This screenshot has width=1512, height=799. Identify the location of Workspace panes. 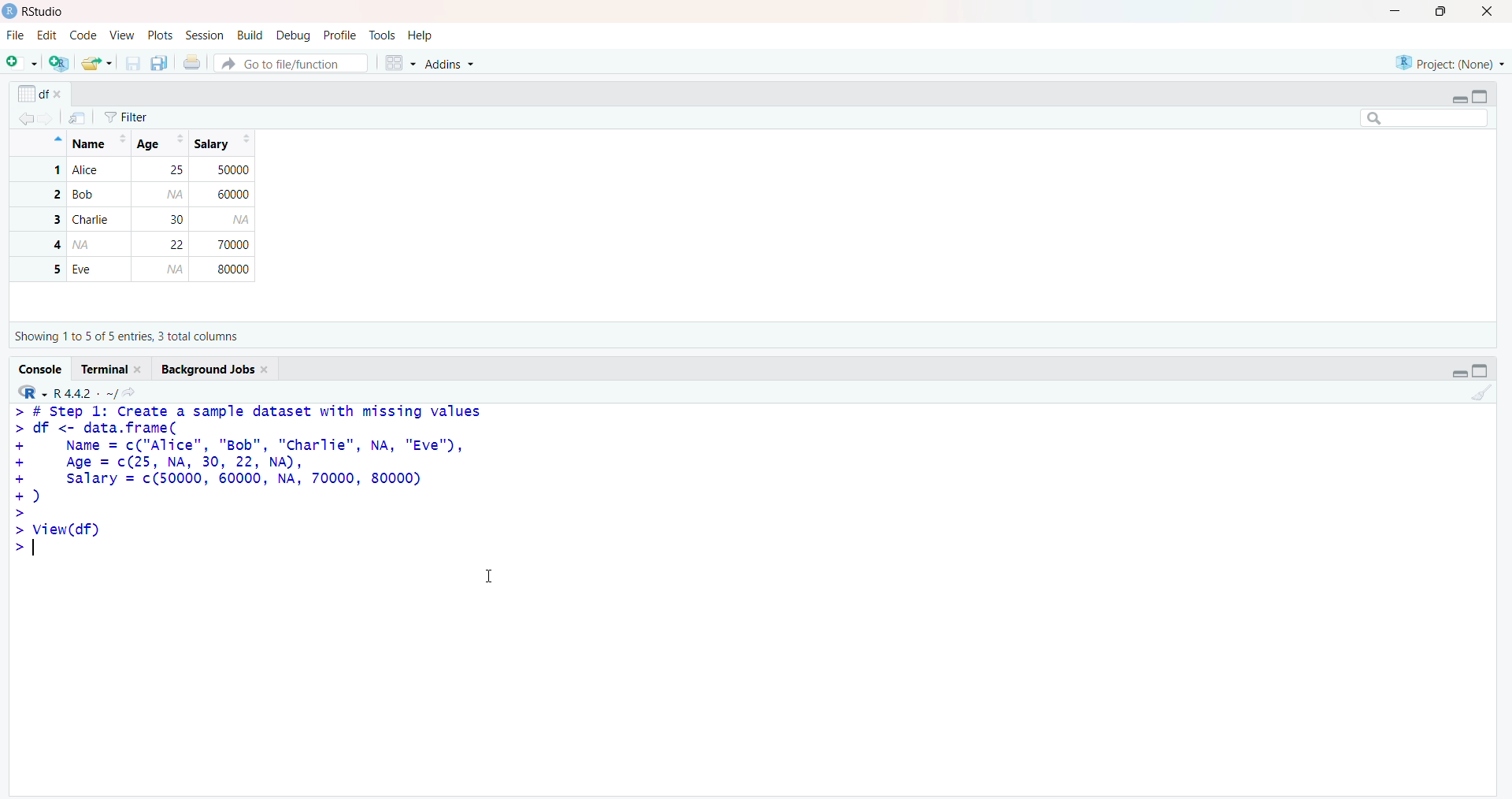
(399, 63).